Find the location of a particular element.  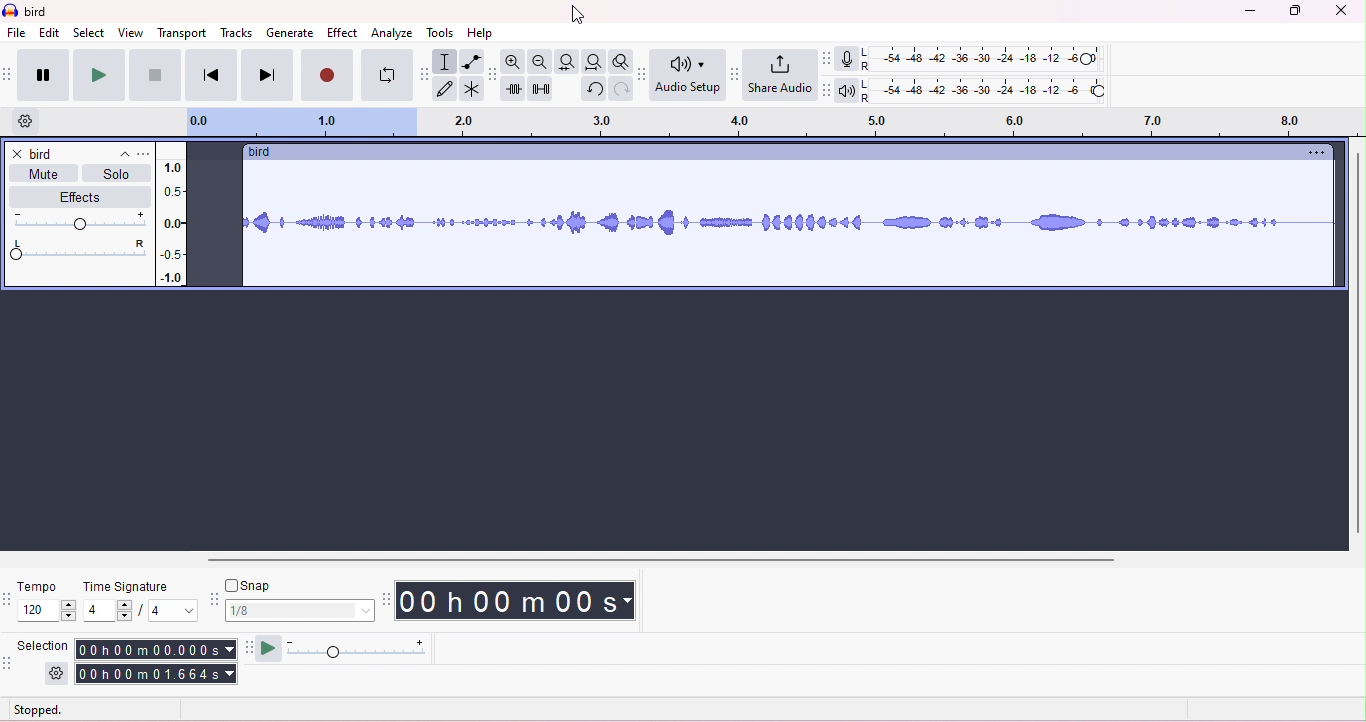

tempo is located at coordinates (39, 585).